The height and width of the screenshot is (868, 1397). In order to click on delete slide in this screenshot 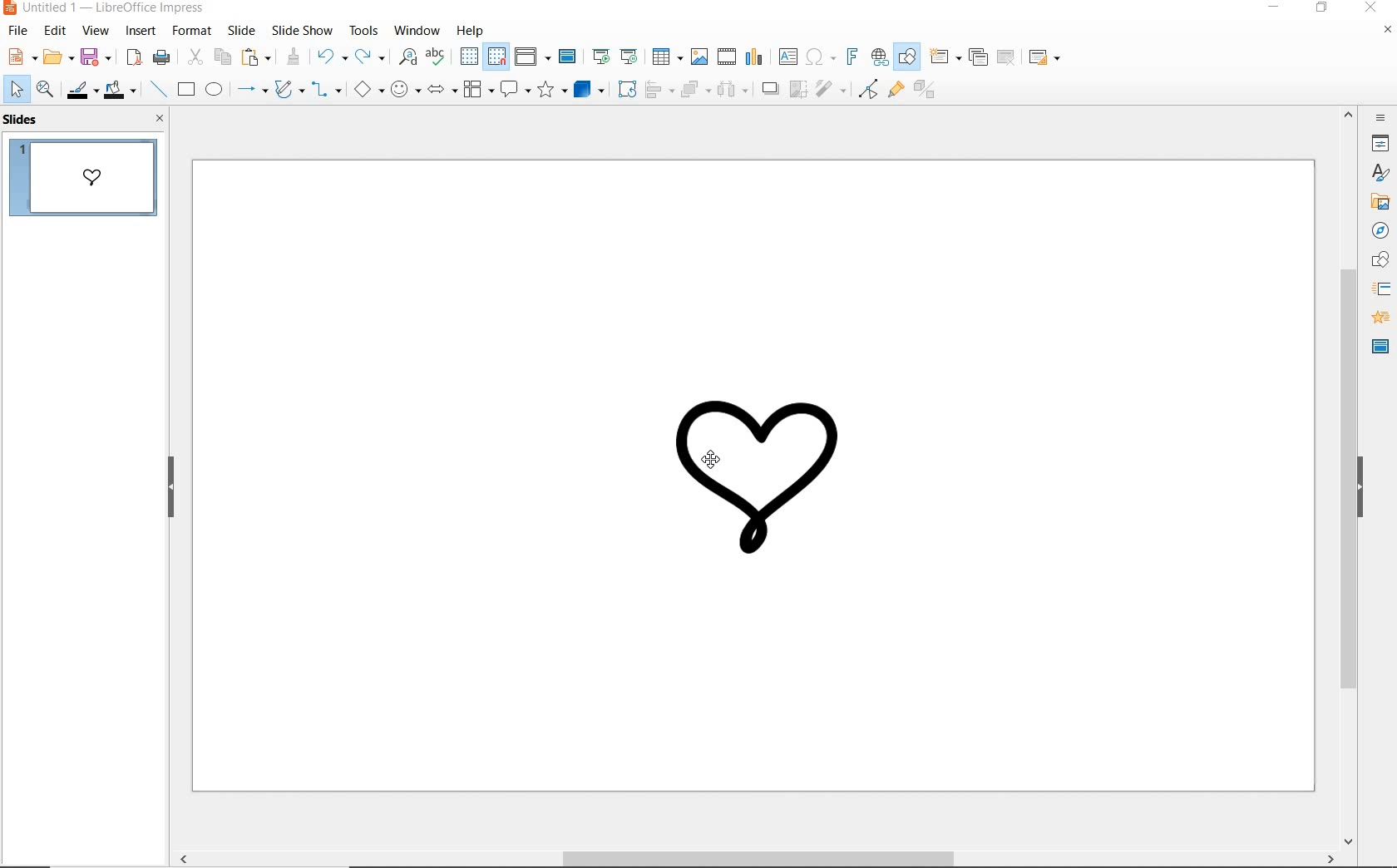, I will do `click(1006, 57)`.